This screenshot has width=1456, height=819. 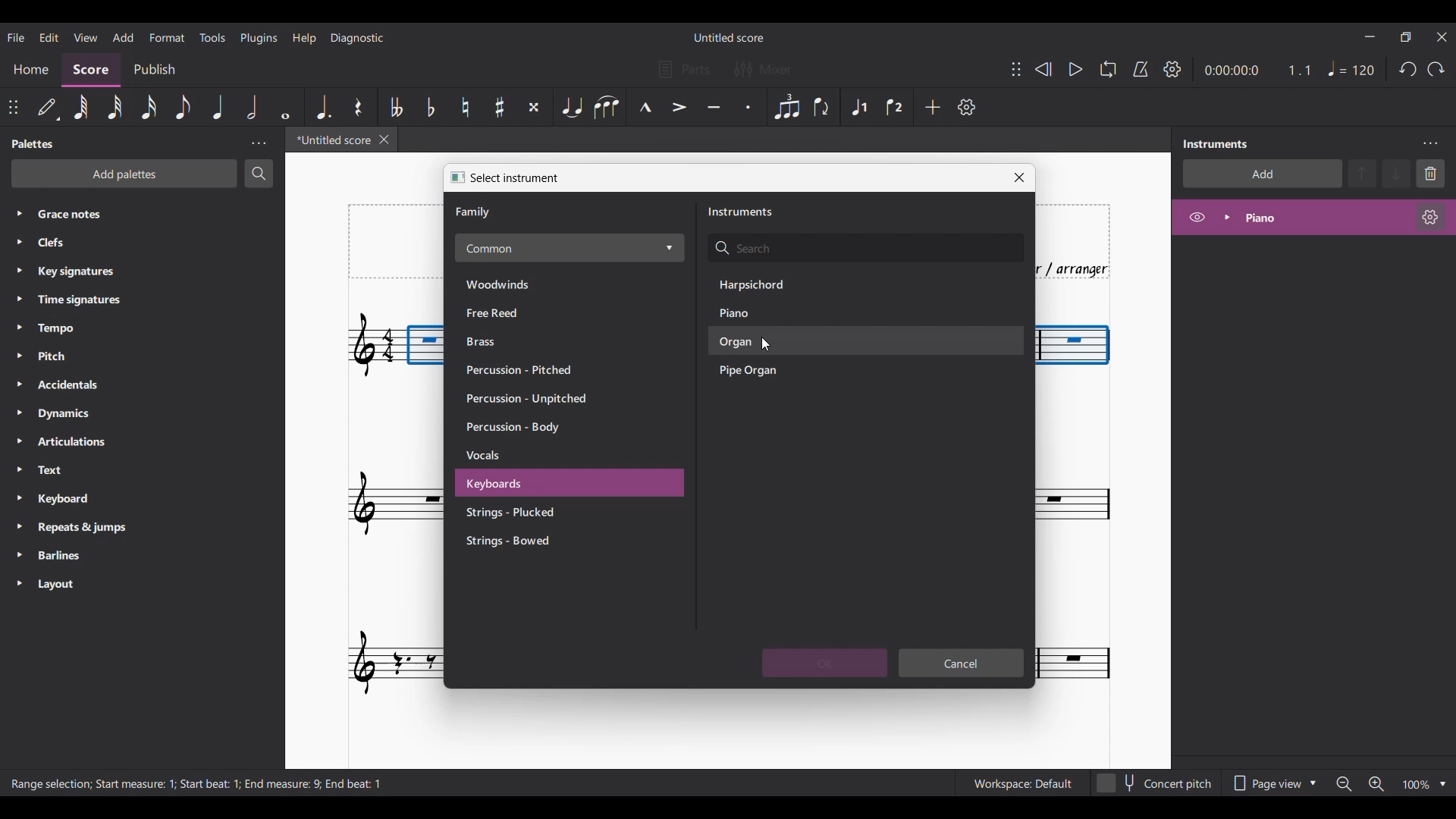 I want to click on Keyboard, so click(x=82, y=500).